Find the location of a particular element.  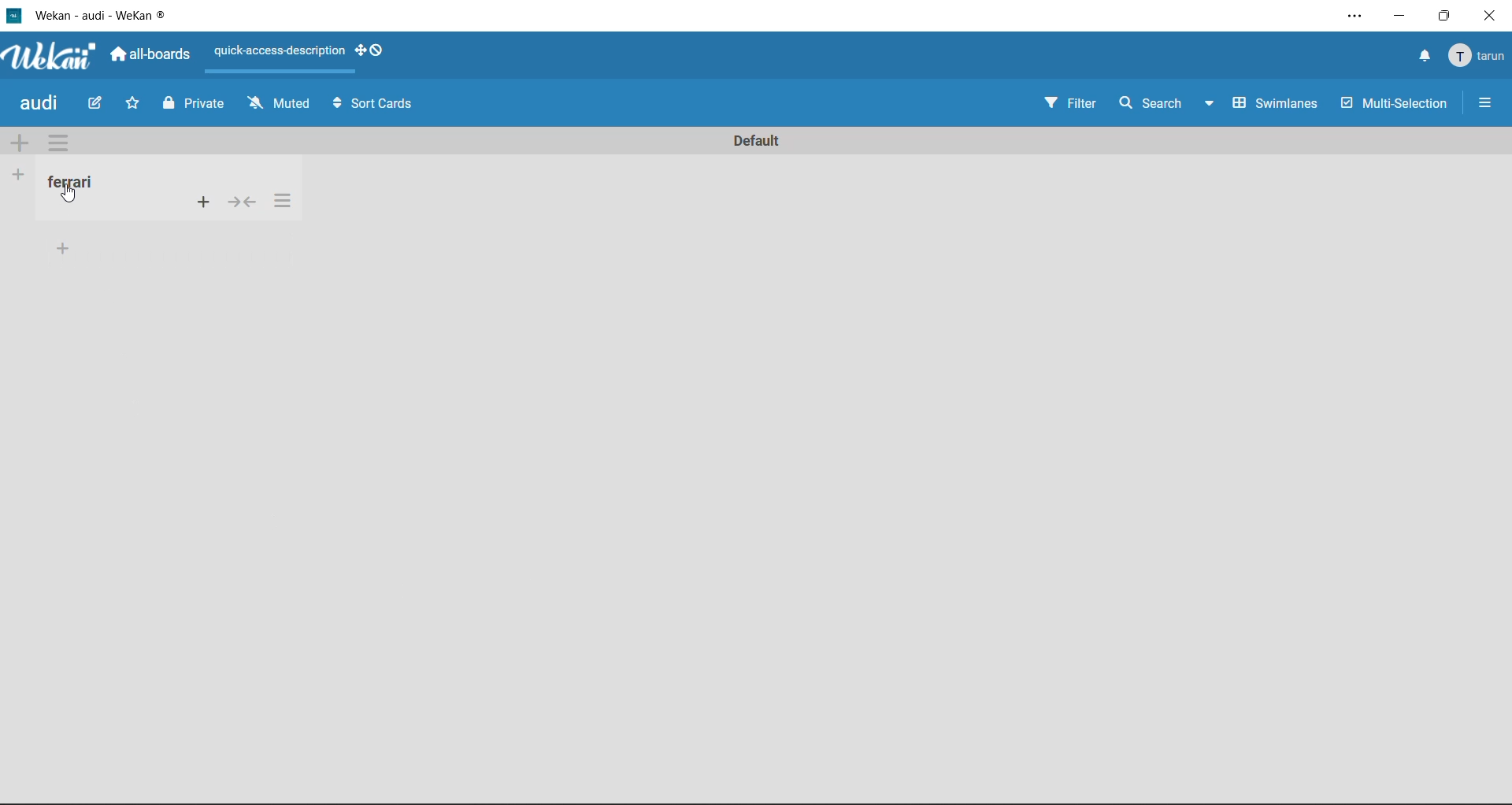

Filter is located at coordinates (1066, 104).